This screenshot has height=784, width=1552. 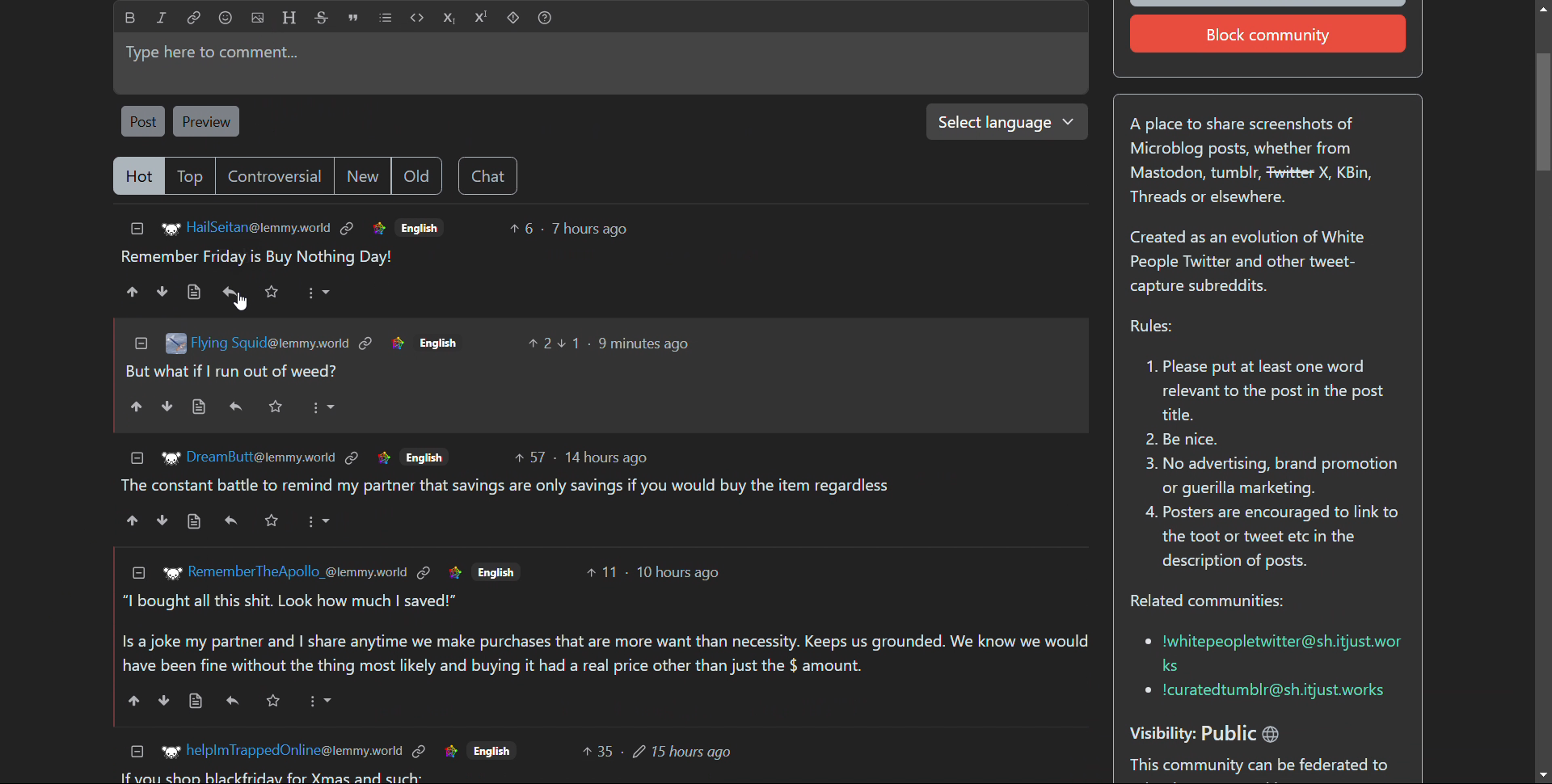 I want to click on link, so click(x=424, y=572).